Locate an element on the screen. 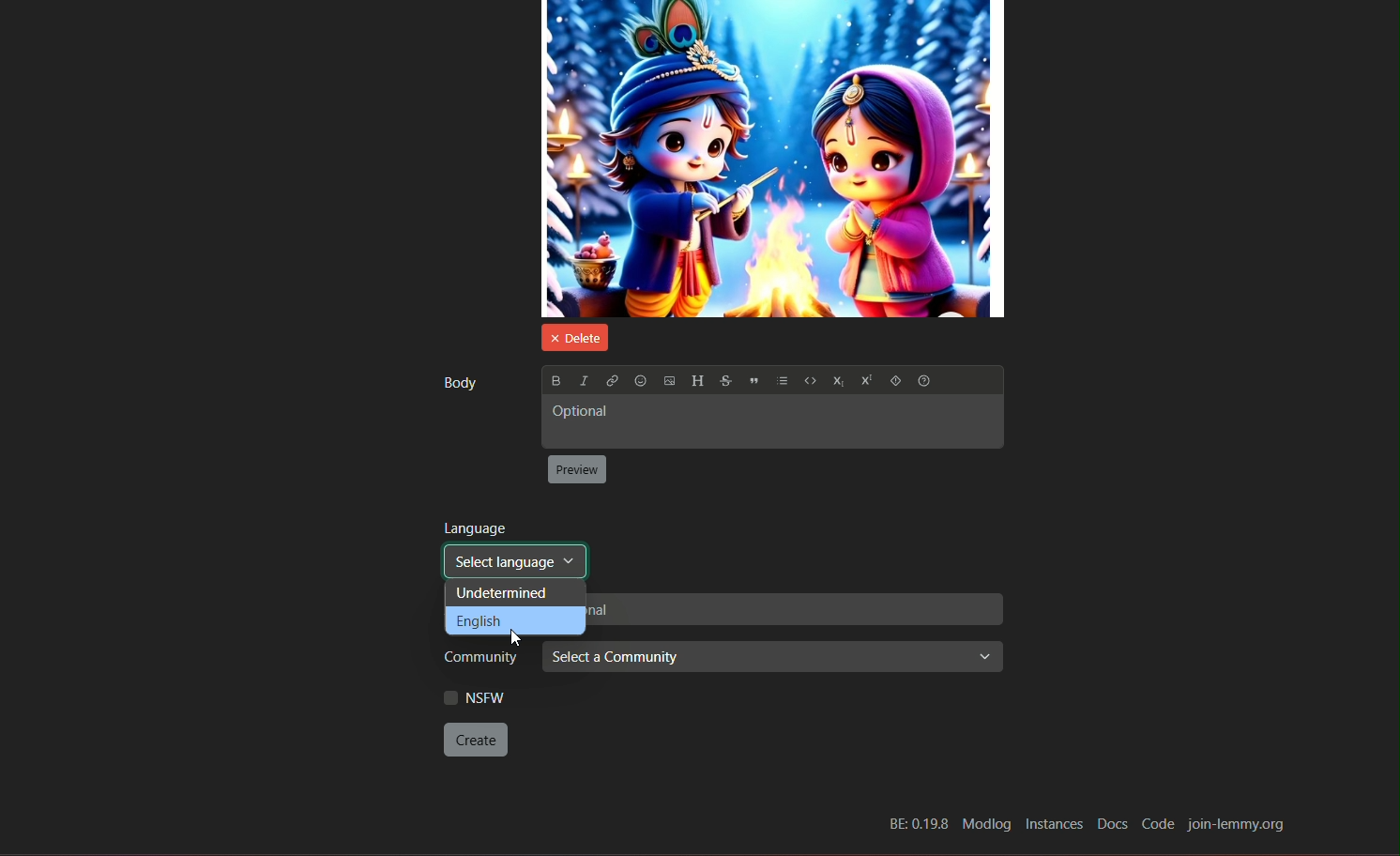 The image size is (1400, 856). NSFW is located at coordinates (474, 697).